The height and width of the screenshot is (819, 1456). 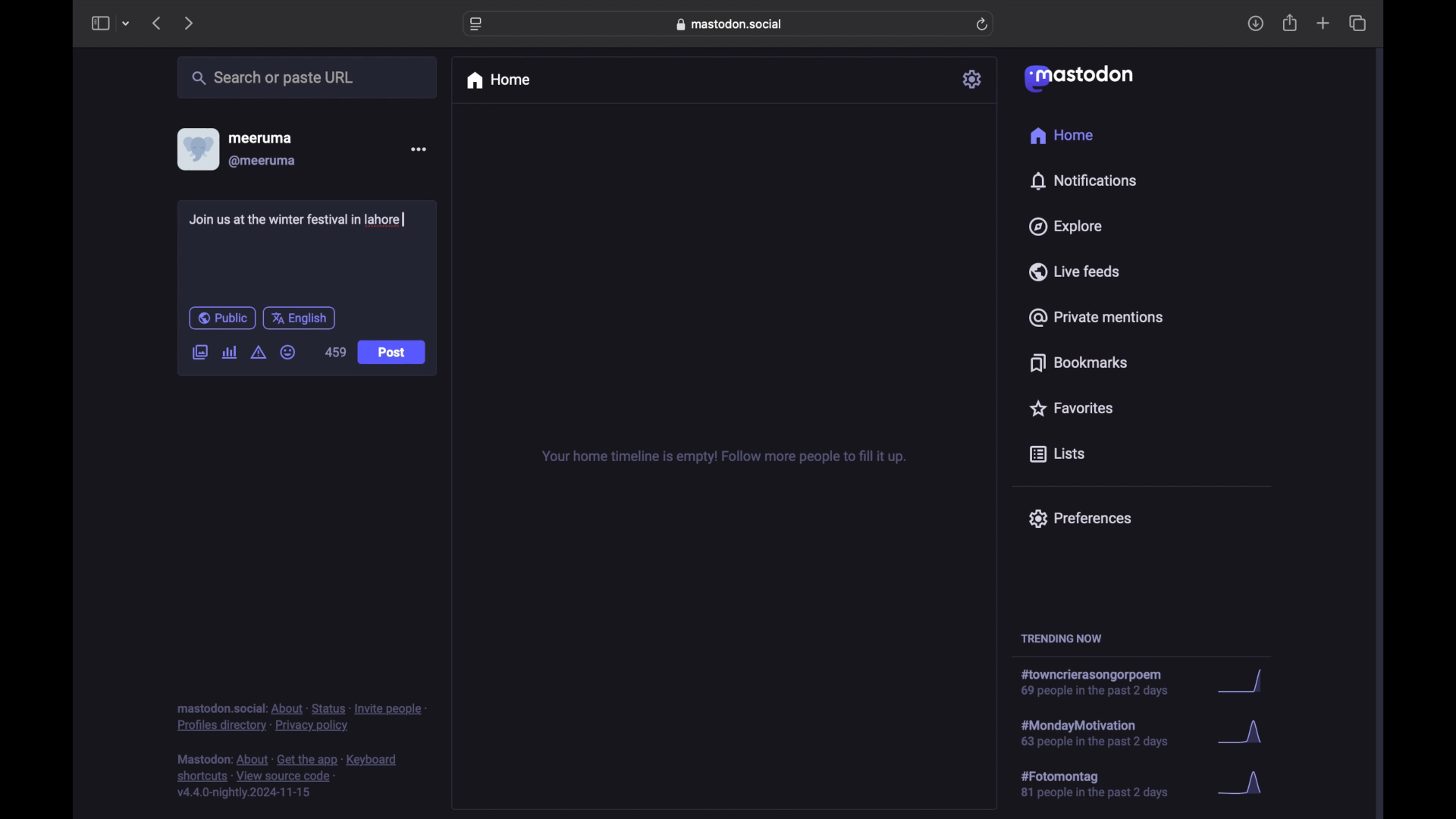 I want to click on private mentions, so click(x=1097, y=317).